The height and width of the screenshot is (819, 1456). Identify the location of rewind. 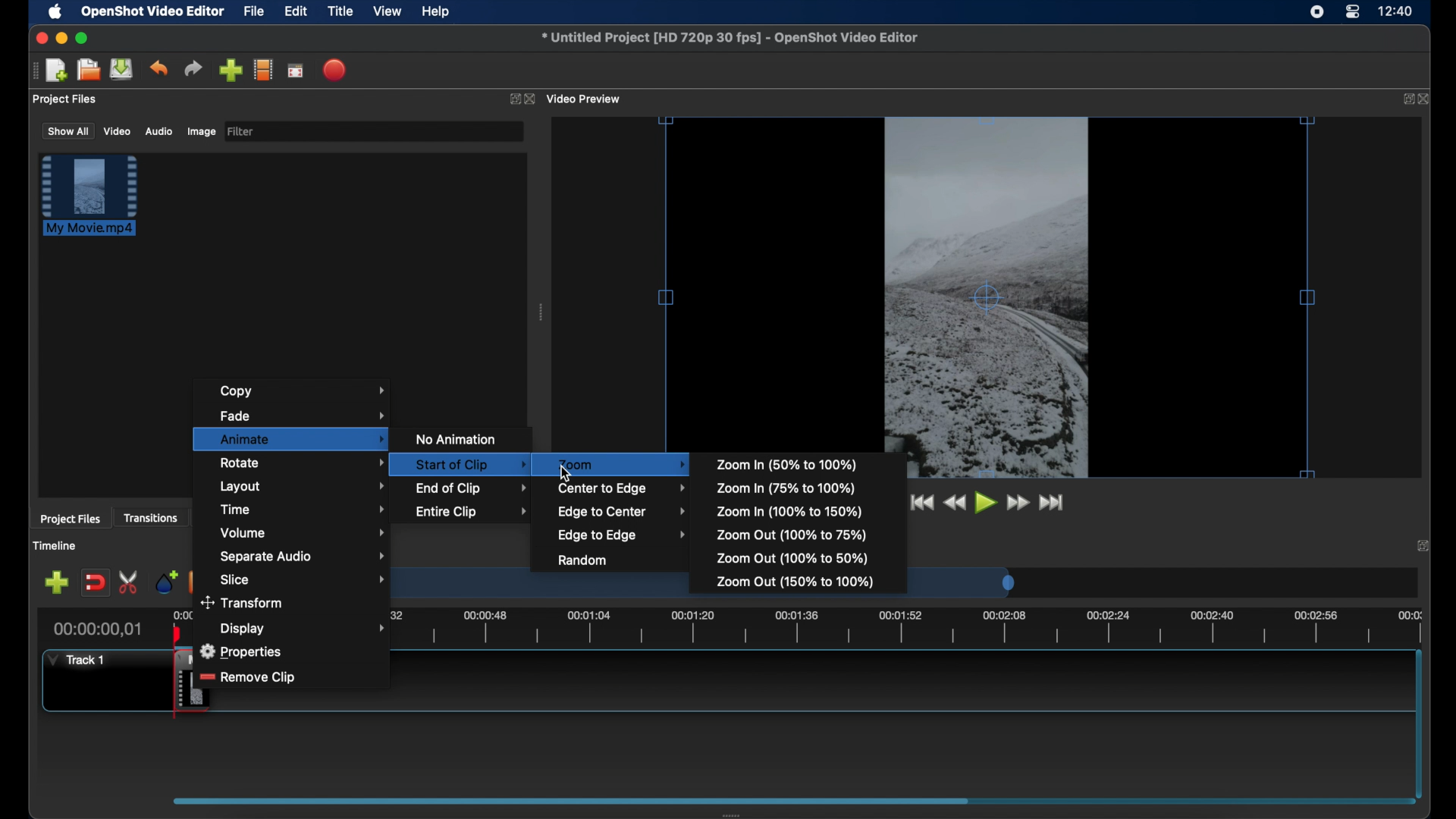
(955, 503).